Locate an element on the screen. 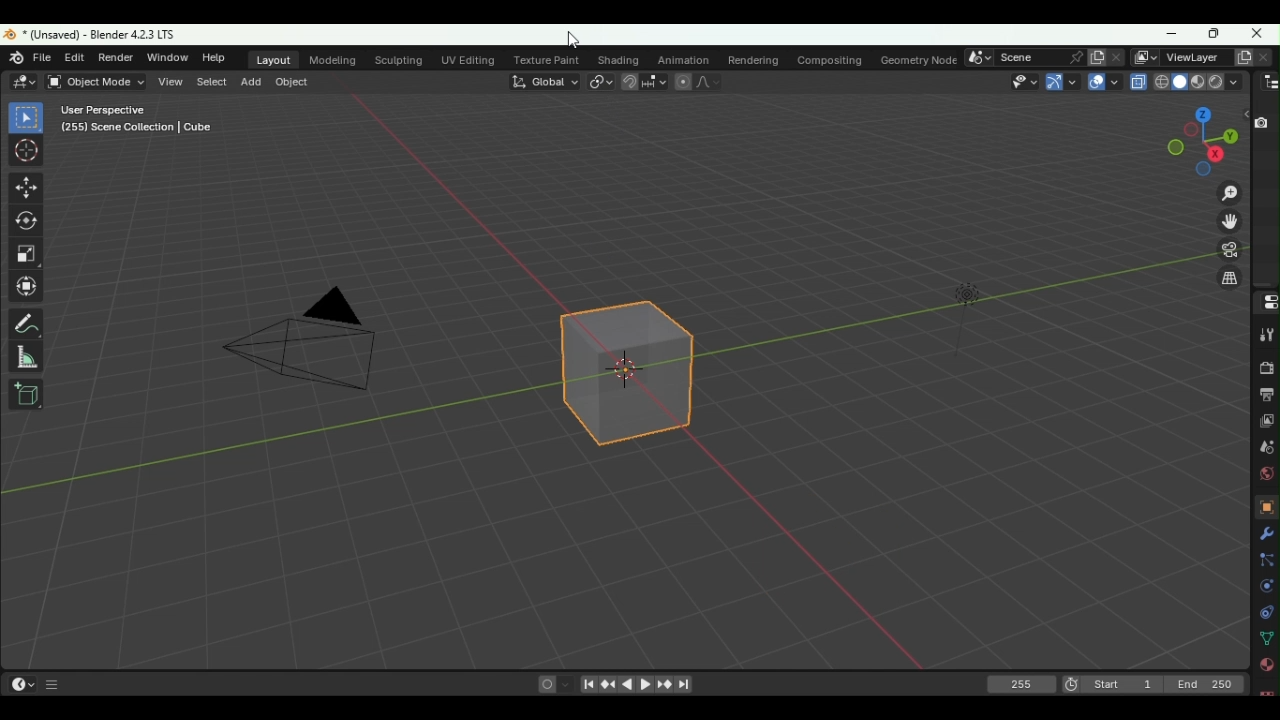 Image resolution: width=1280 pixels, height=720 pixels. Play animation is located at coordinates (629, 685).